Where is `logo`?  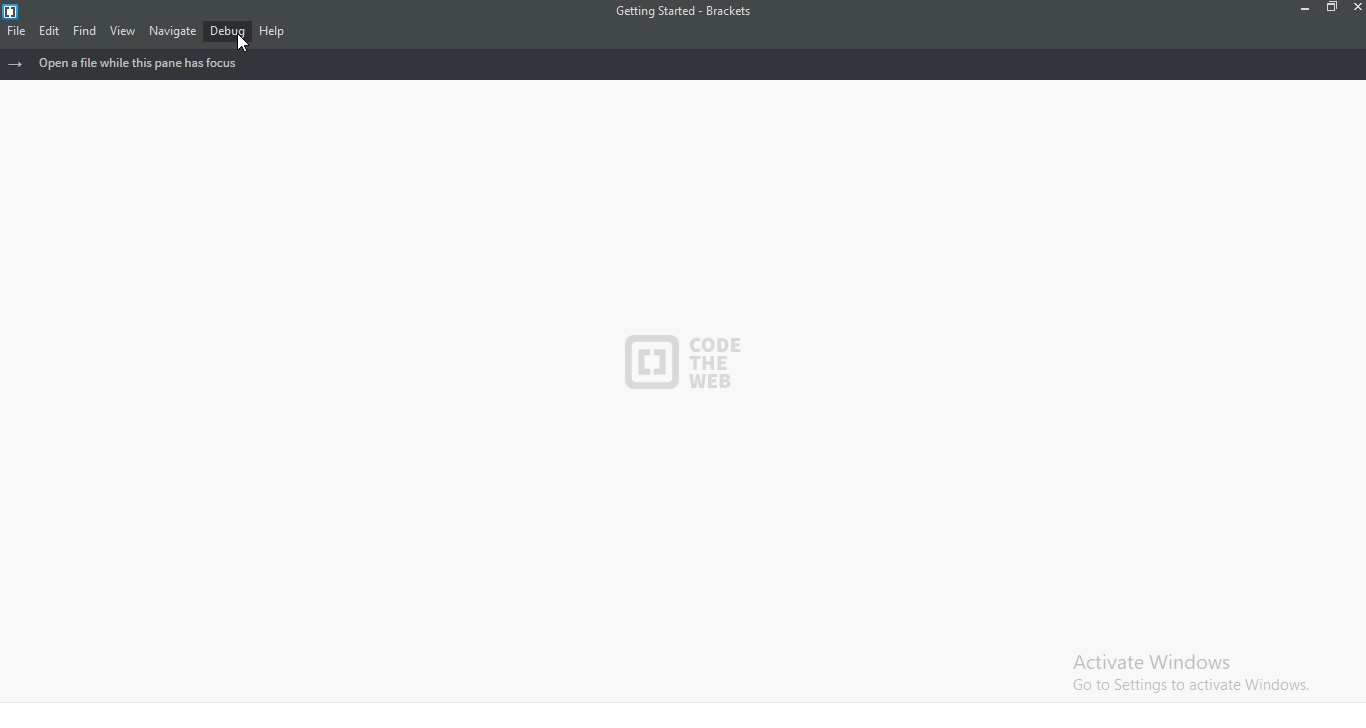 logo is located at coordinates (676, 355).